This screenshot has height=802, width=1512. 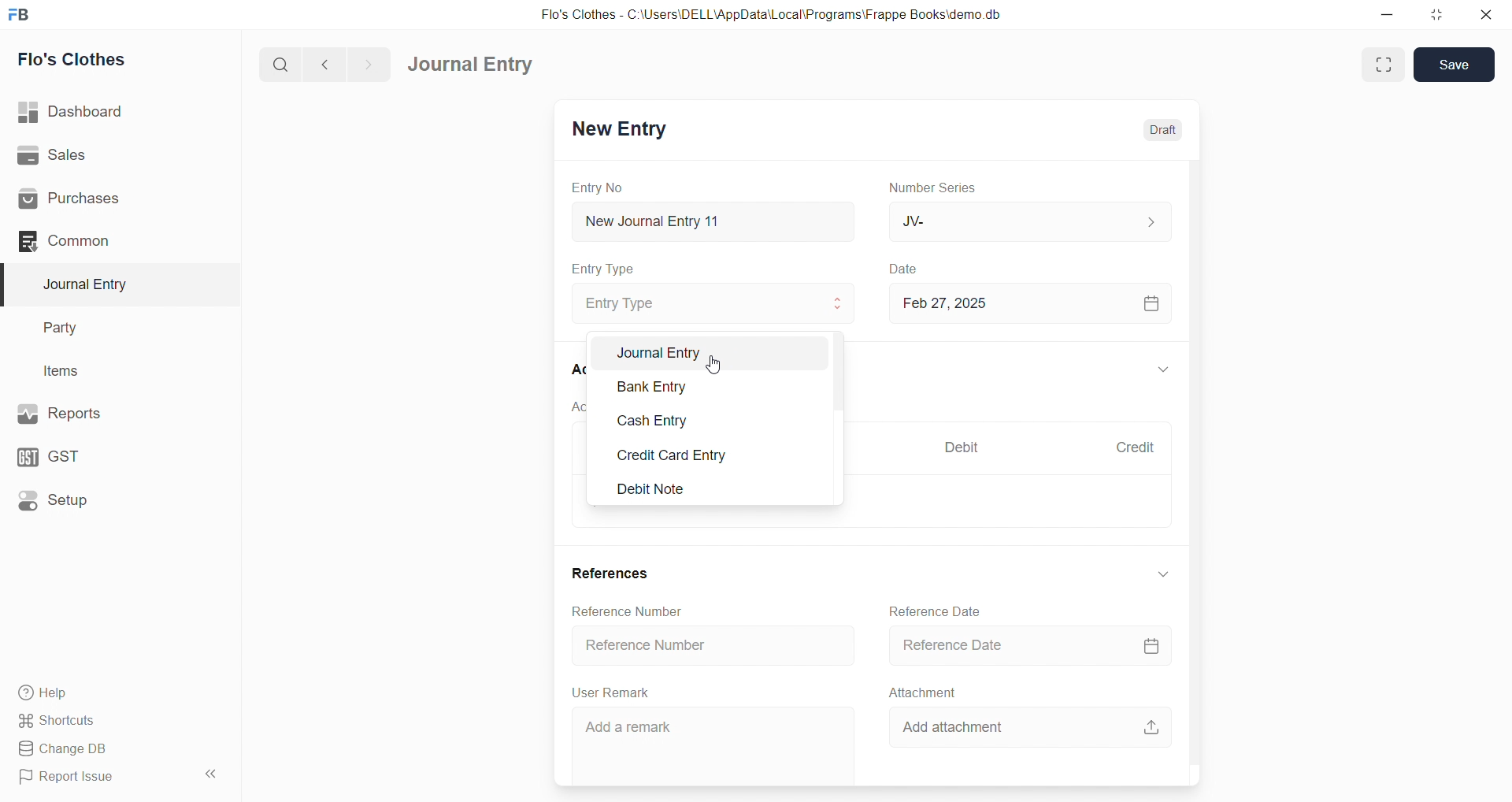 I want to click on Feb 27, 2025, so click(x=1028, y=303).